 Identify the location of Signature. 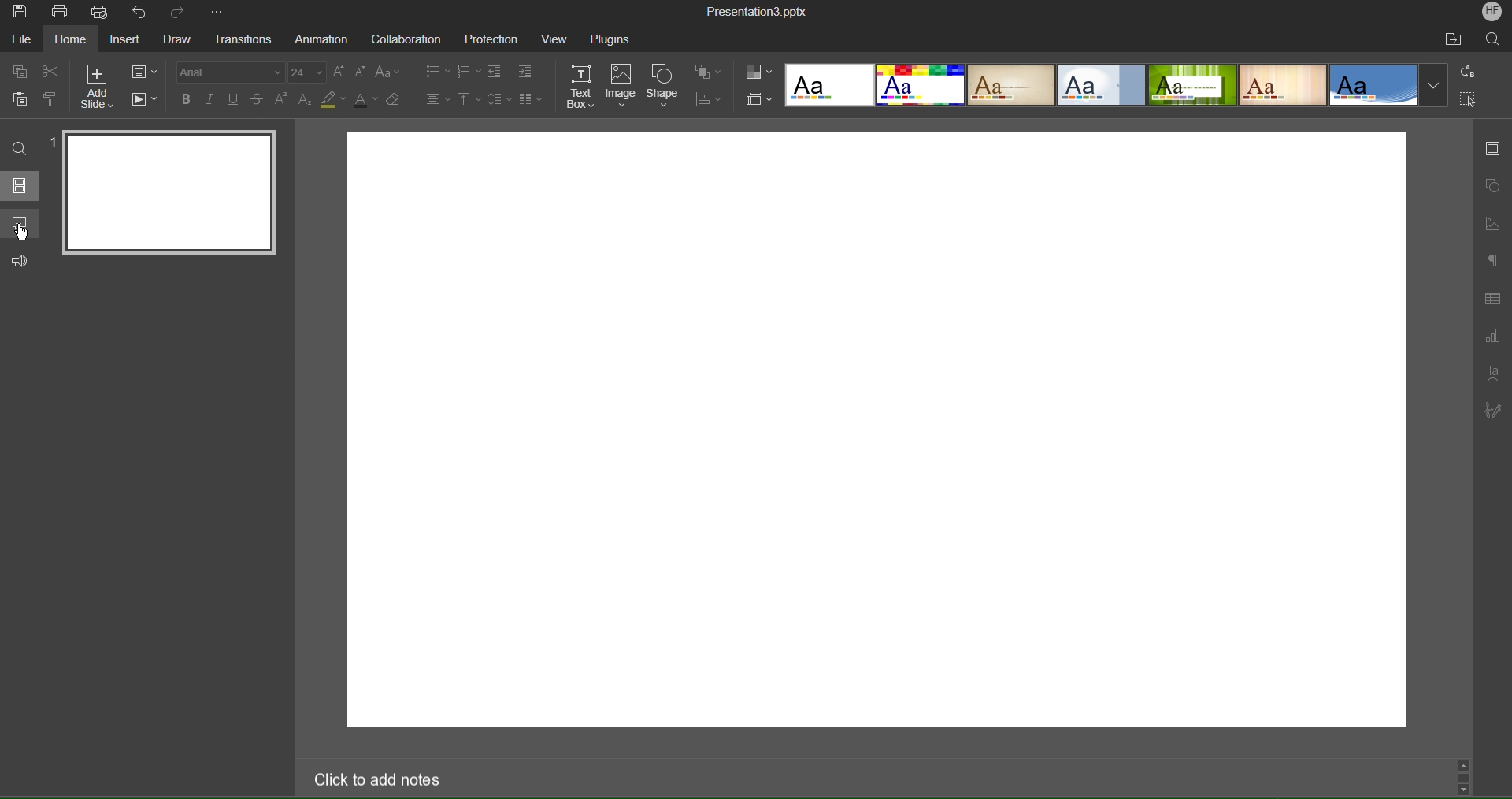
(1492, 412).